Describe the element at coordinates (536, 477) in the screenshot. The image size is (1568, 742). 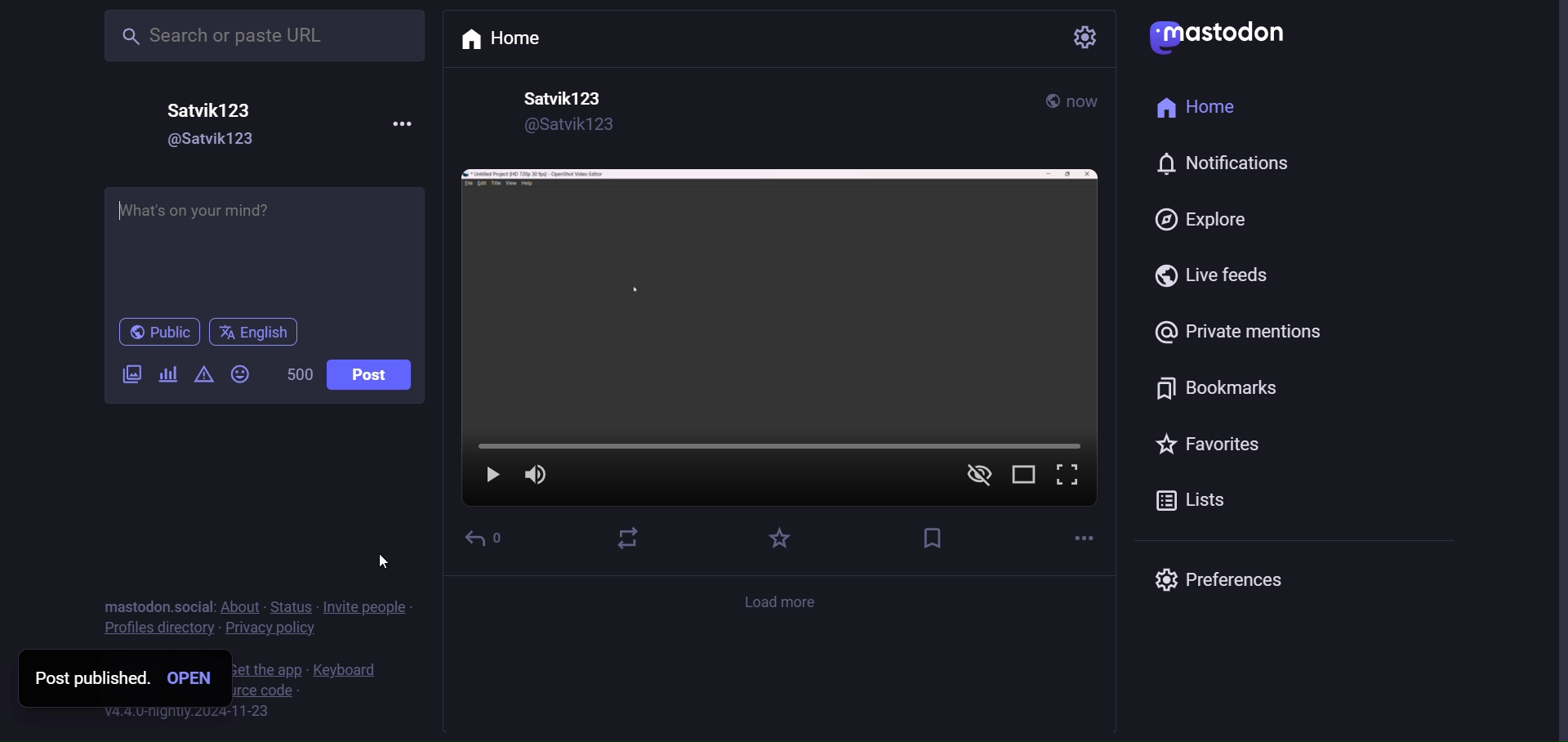
I see `volume` at that location.